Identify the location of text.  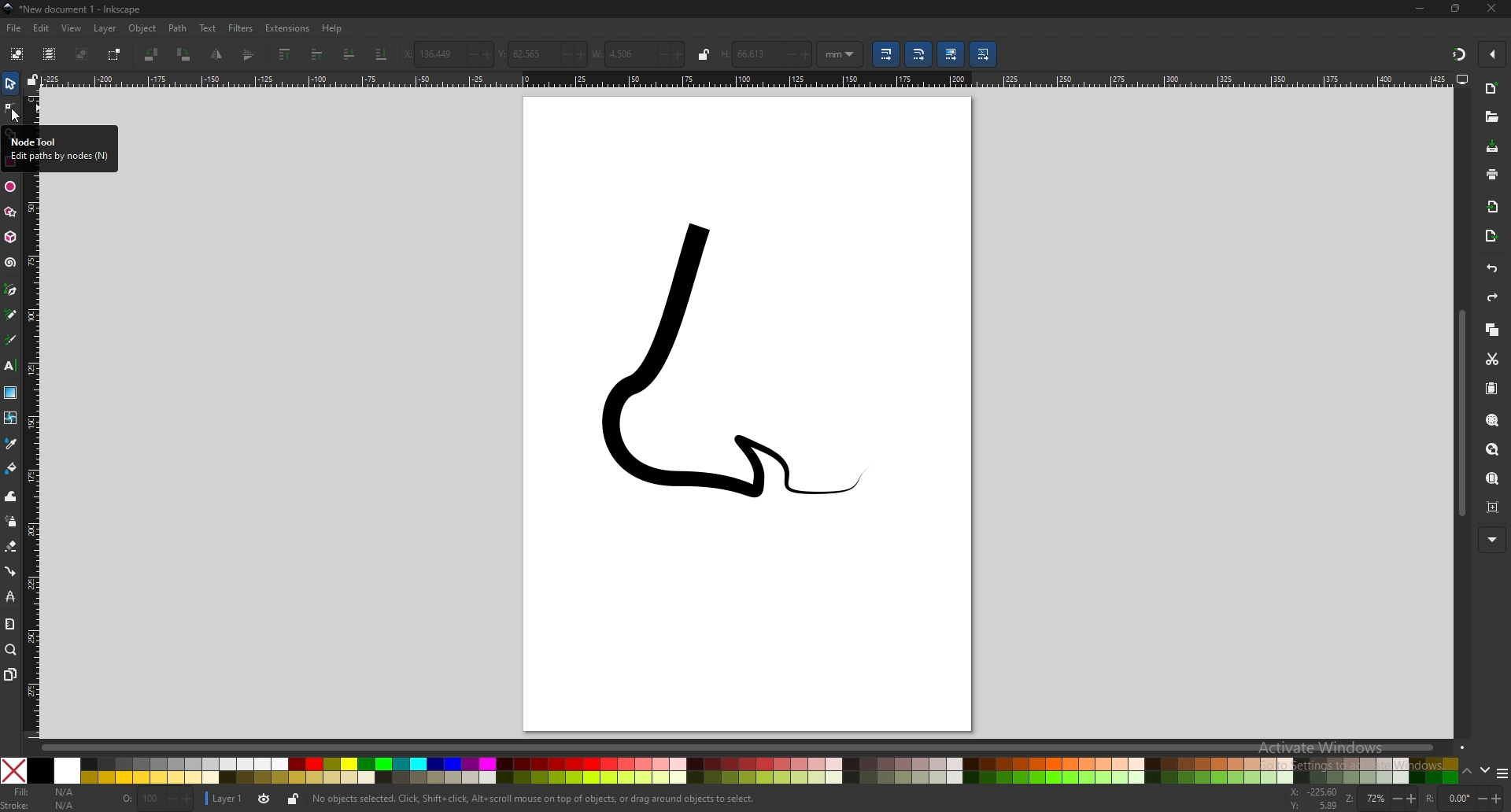
(208, 28).